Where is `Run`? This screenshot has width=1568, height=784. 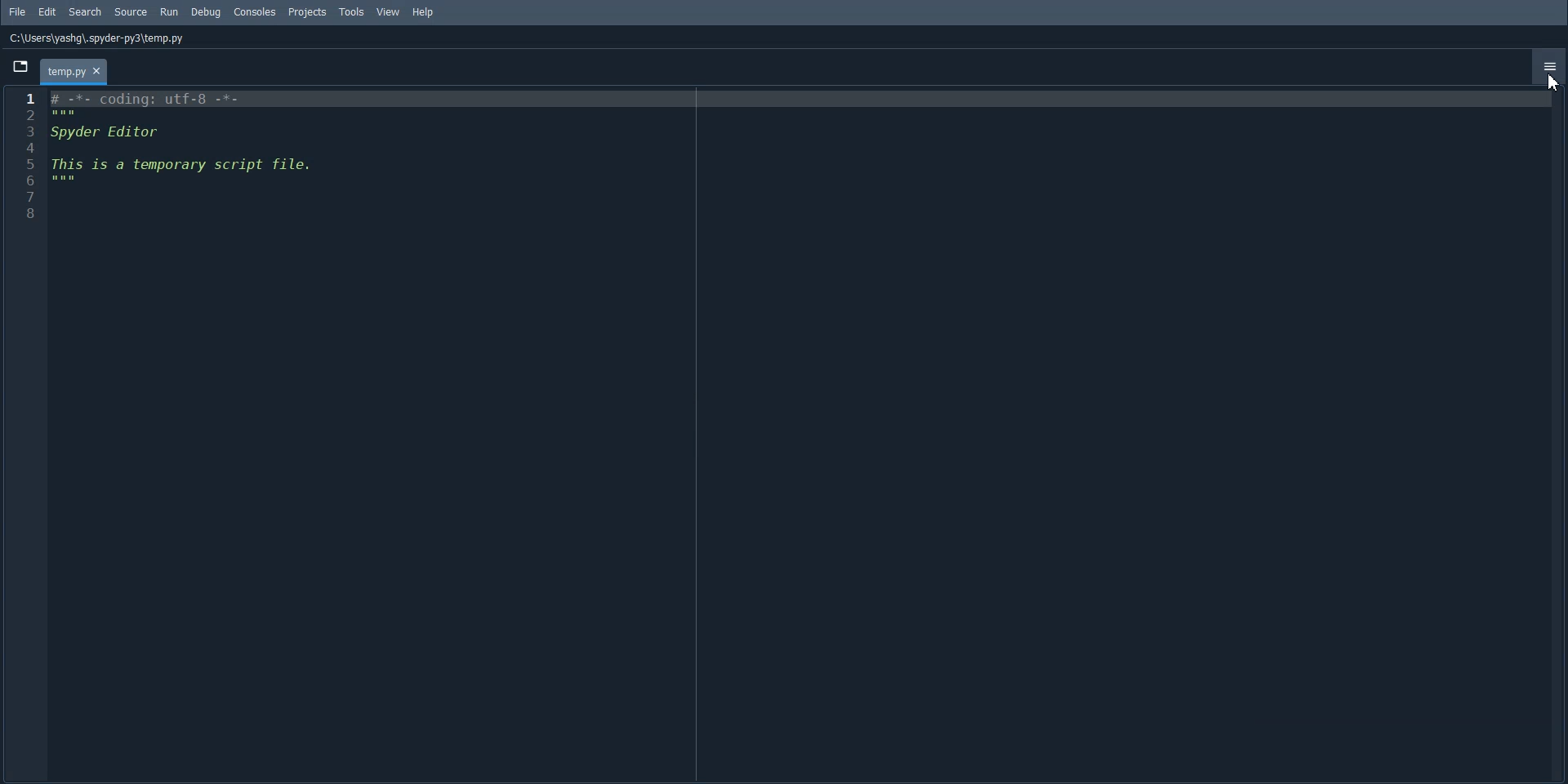
Run is located at coordinates (168, 11).